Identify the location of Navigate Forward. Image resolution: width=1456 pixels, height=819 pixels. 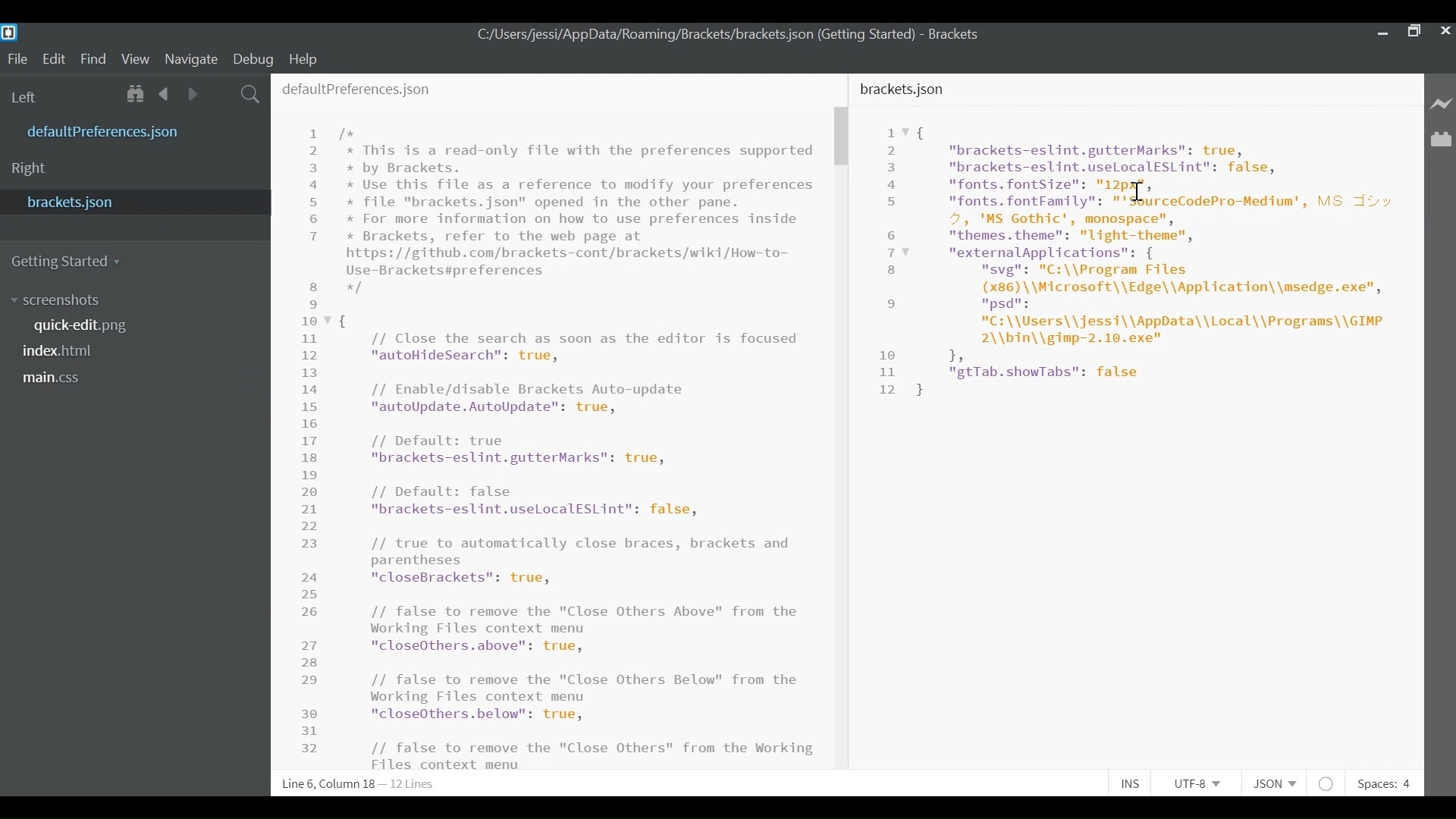
(194, 94).